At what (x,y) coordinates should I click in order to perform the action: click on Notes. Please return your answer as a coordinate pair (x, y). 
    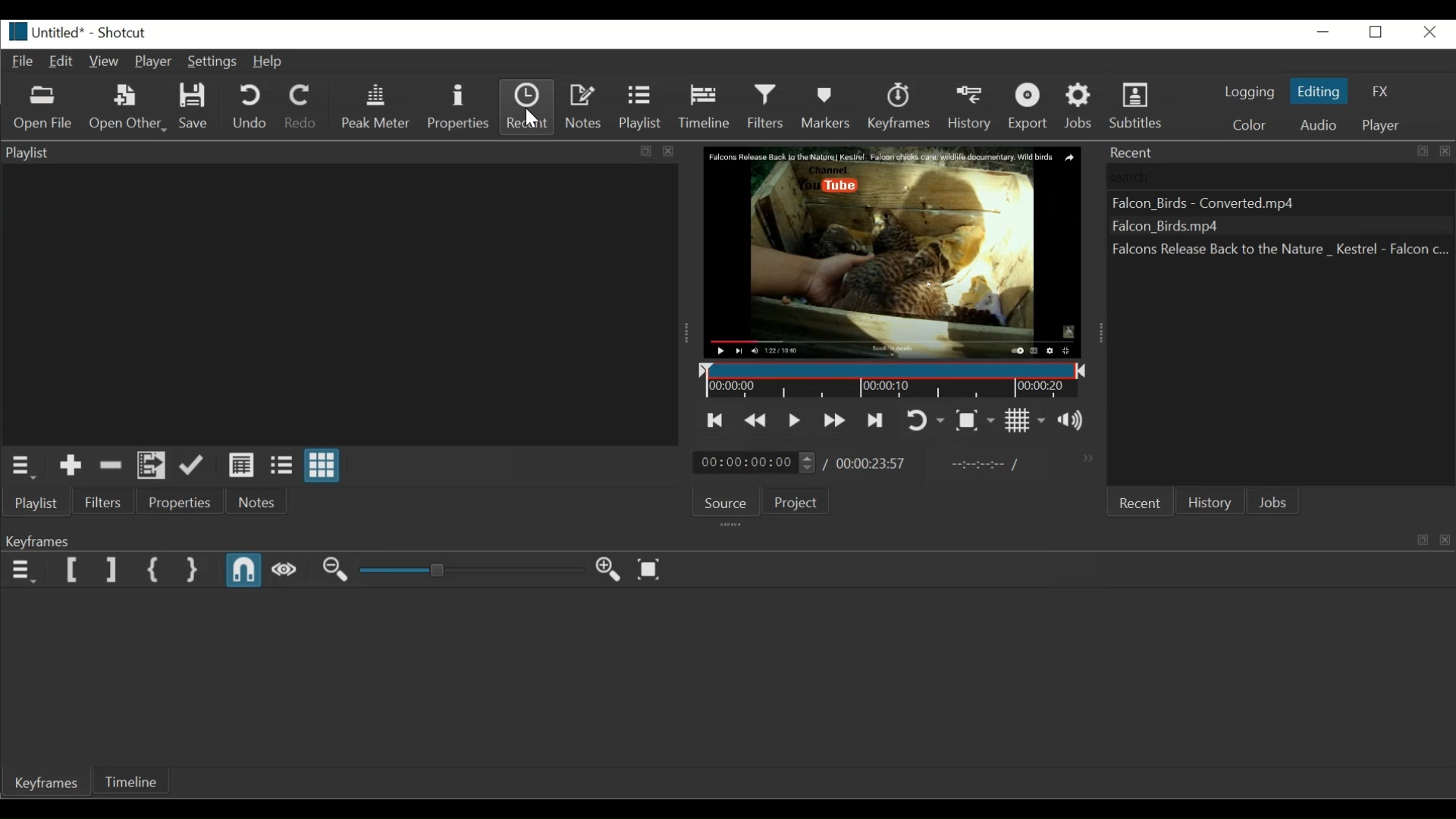
    Looking at the image, I should click on (259, 501).